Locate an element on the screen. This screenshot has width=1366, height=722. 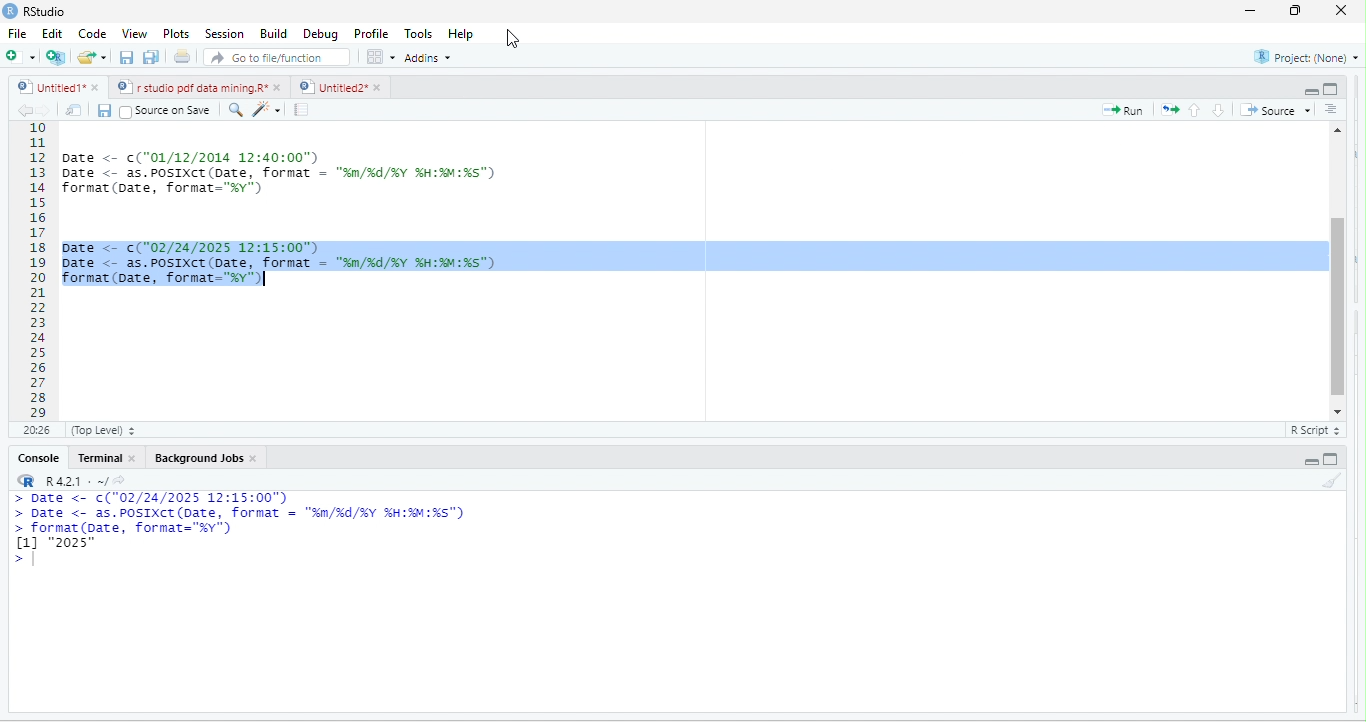
new file is located at coordinates (17, 56).